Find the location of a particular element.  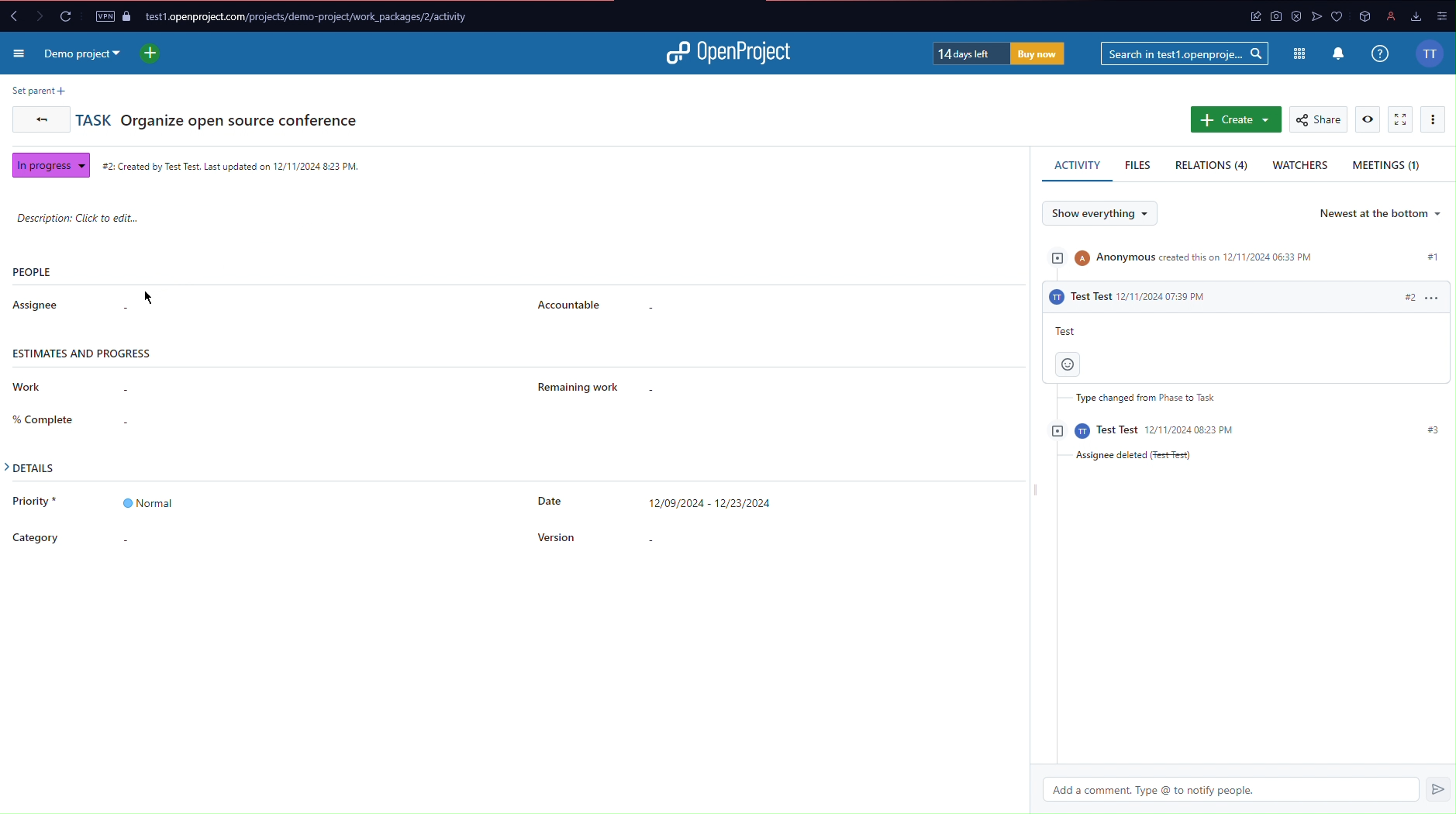

Set parent is located at coordinates (38, 90).